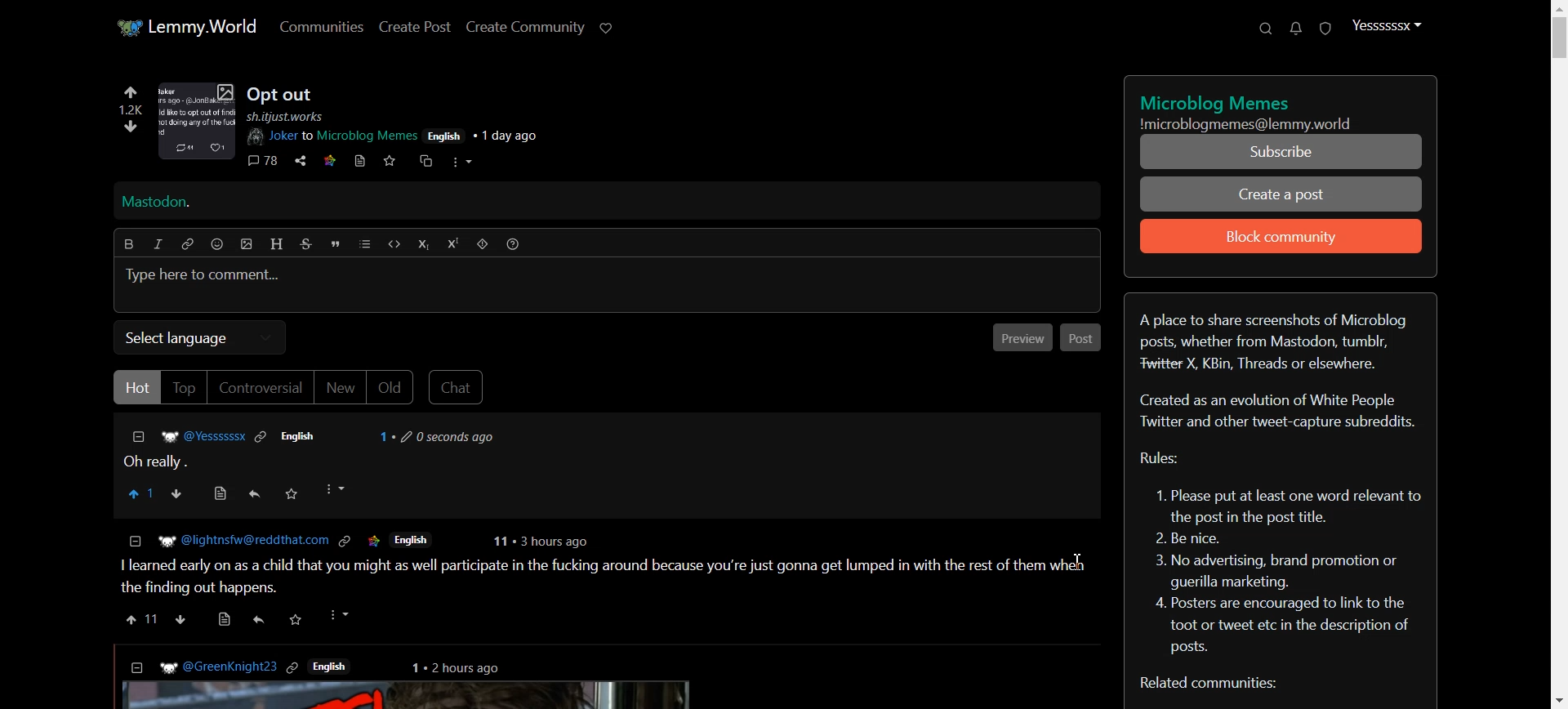 This screenshot has width=1568, height=709. Describe the element at coordinates (1386, 25) in the screenshot. I see `Profile` at that location.